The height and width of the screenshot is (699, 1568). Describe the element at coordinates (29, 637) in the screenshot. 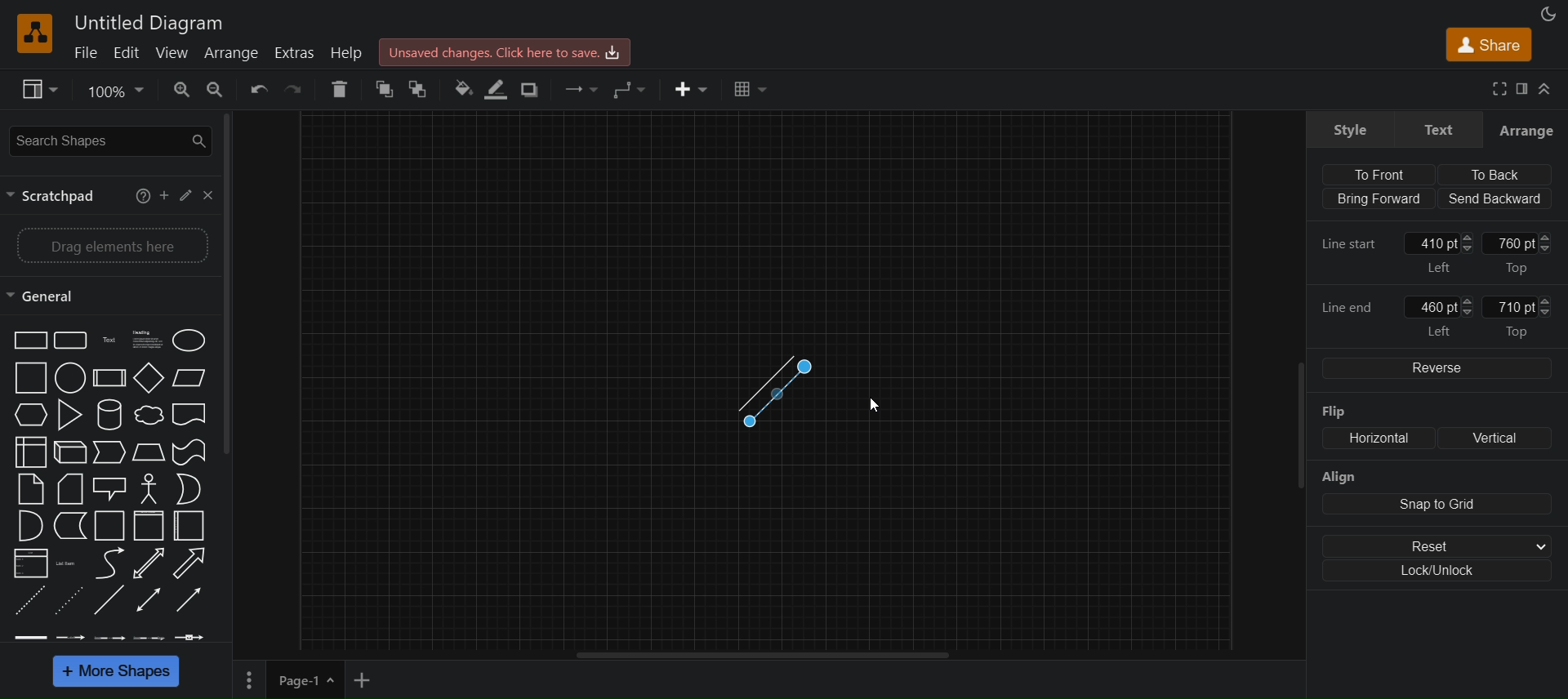

I see `connector 1` at that location.